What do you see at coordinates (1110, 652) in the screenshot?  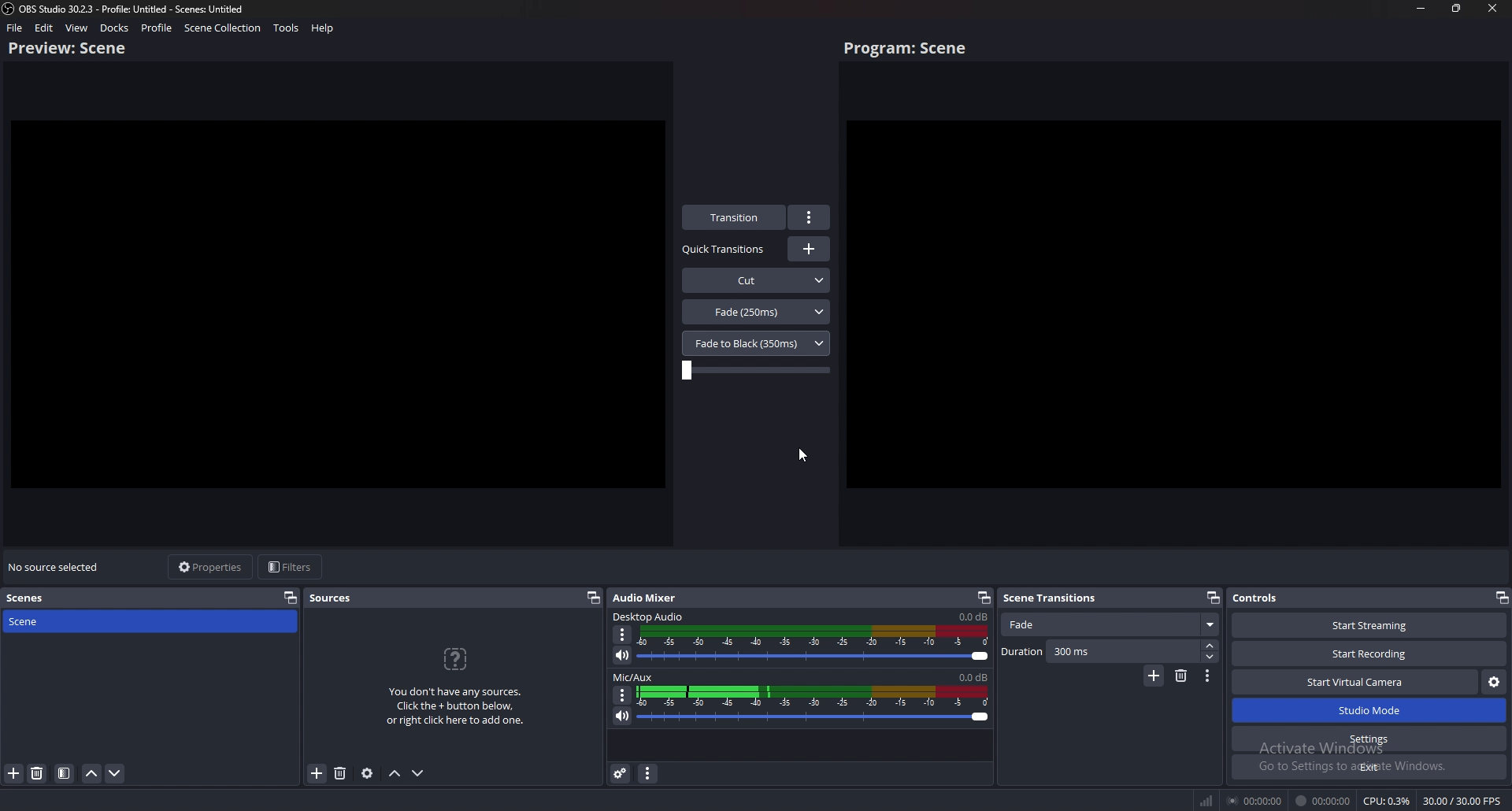 I see `Duration` at bounding box center [1110, 652].